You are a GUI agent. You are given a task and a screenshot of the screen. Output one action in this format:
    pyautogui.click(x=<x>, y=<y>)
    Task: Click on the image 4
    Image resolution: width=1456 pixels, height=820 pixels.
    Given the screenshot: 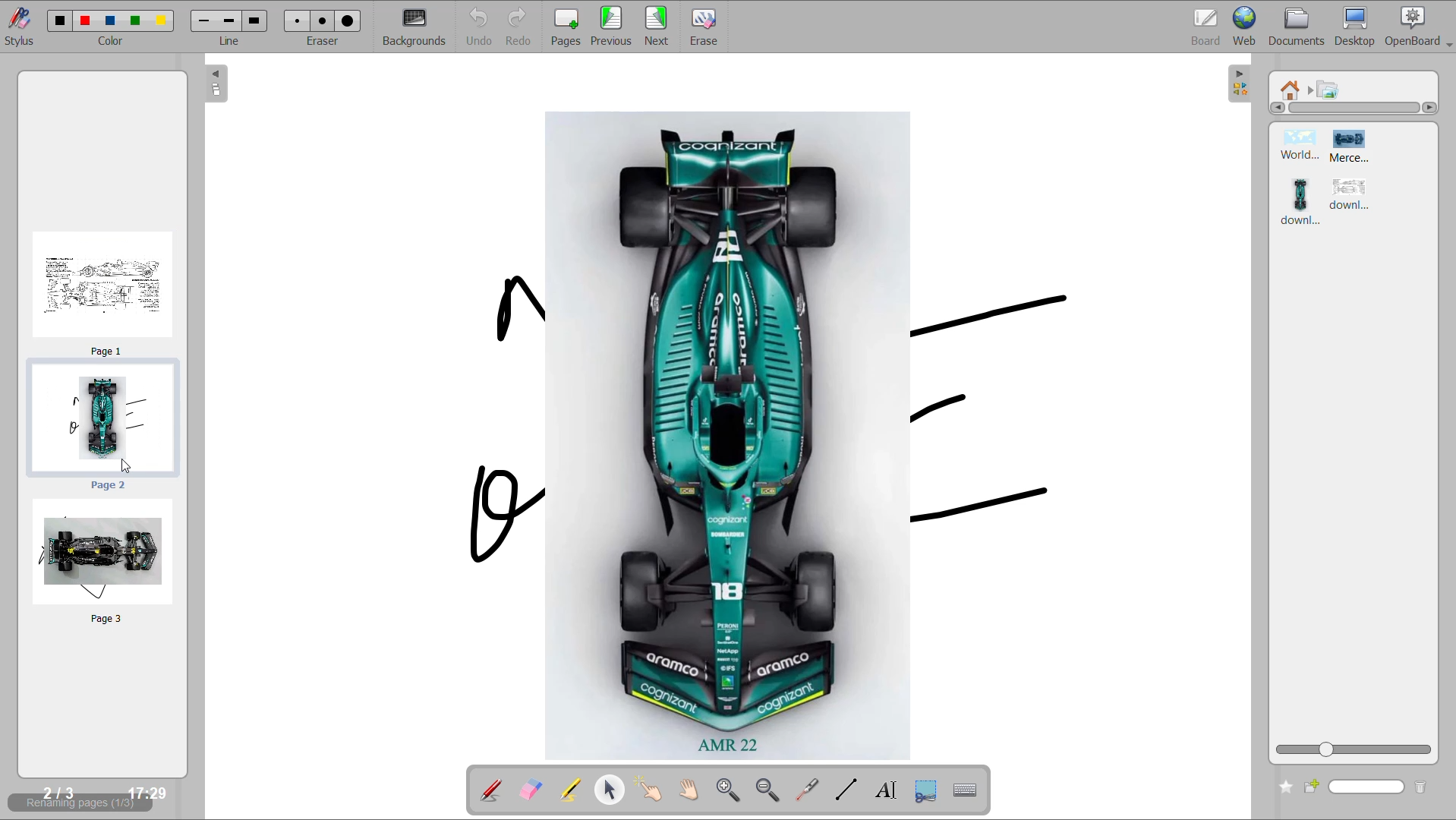 What is the action you would take?
    pyautogui.click(x=1351, y=196)
    